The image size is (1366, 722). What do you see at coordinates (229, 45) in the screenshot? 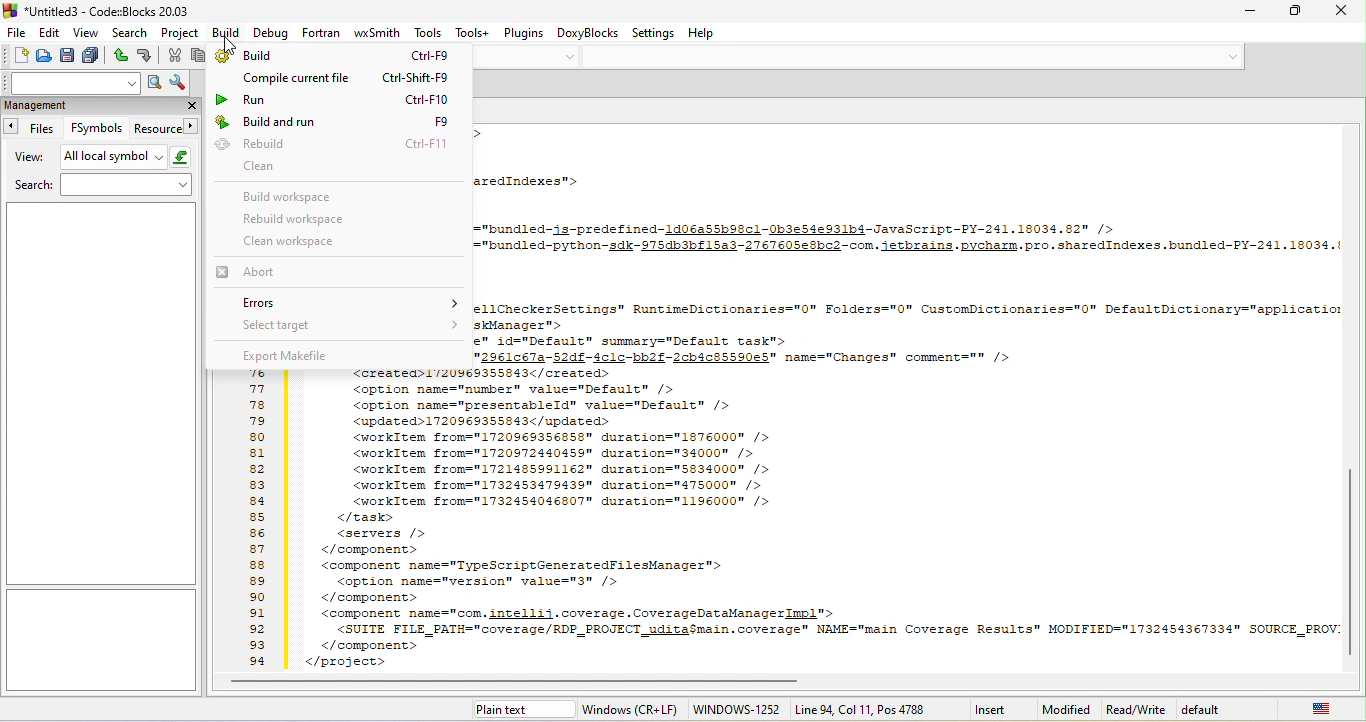
I see `cursor` at bounding box center [229, 45].